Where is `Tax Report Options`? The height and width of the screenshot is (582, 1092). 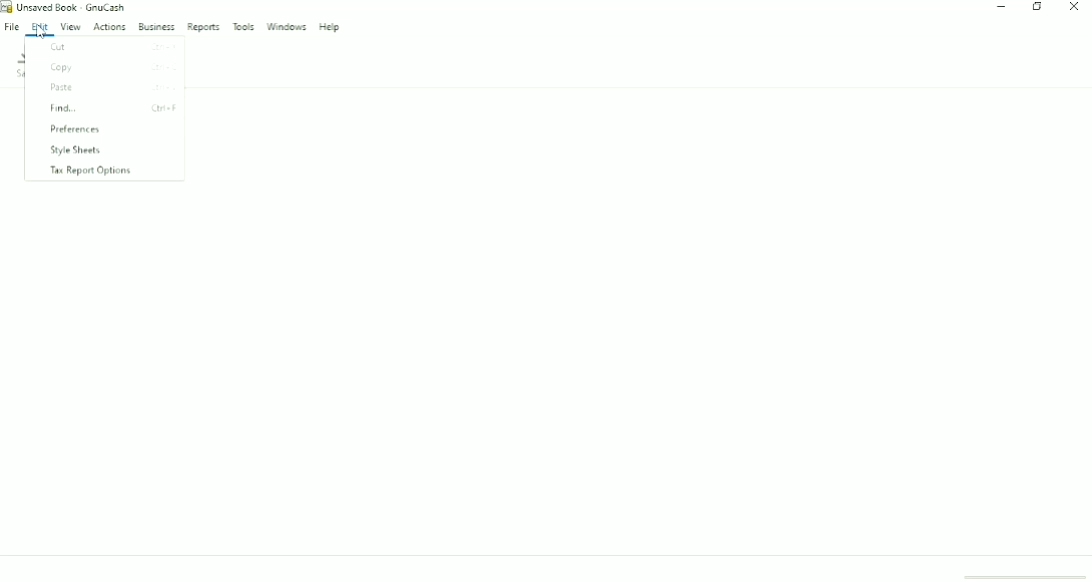
Tax Report Options is located at coordinates (91, 171).